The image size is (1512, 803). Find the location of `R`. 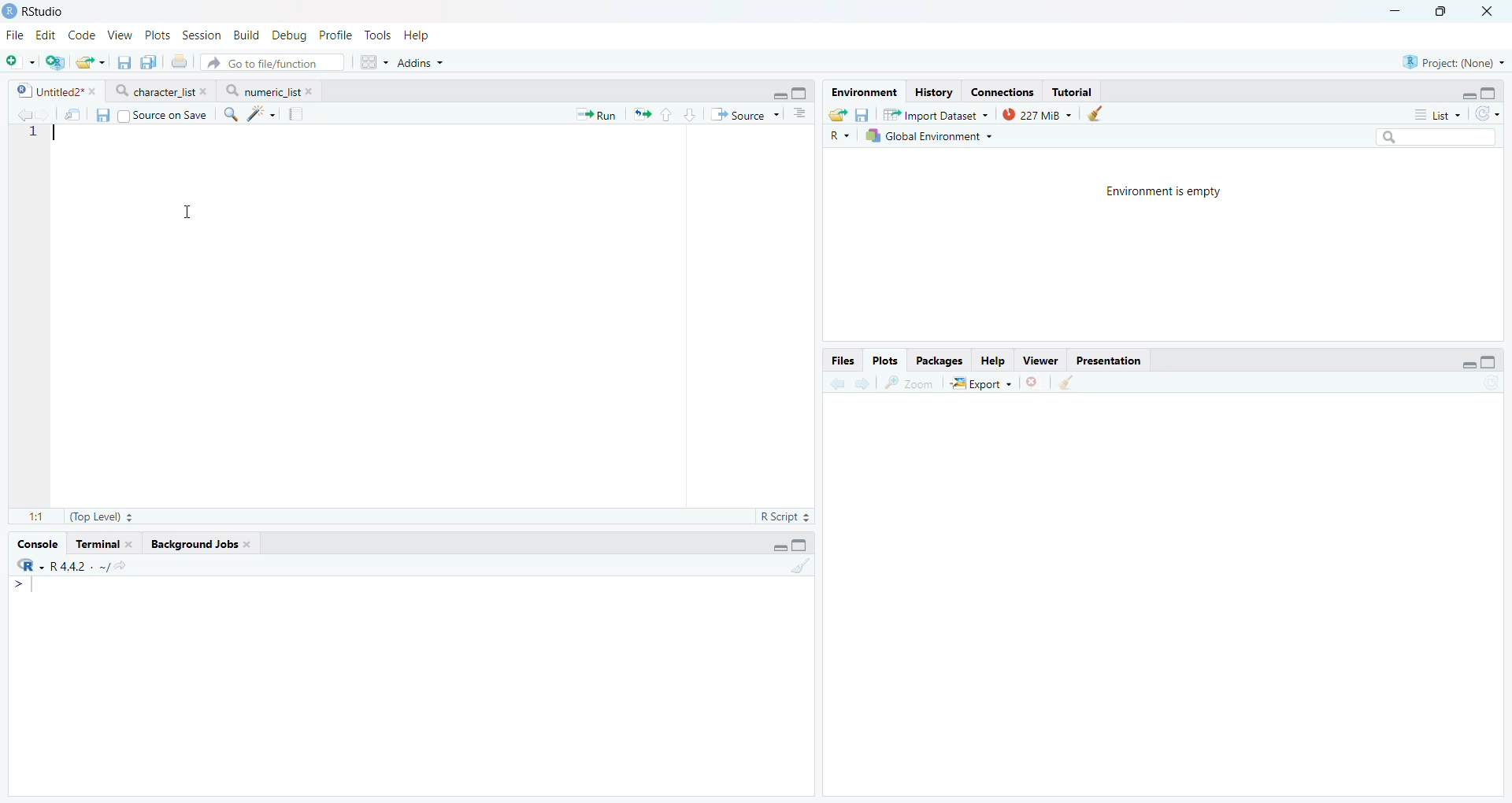

R is located at coordinates (841, 135).